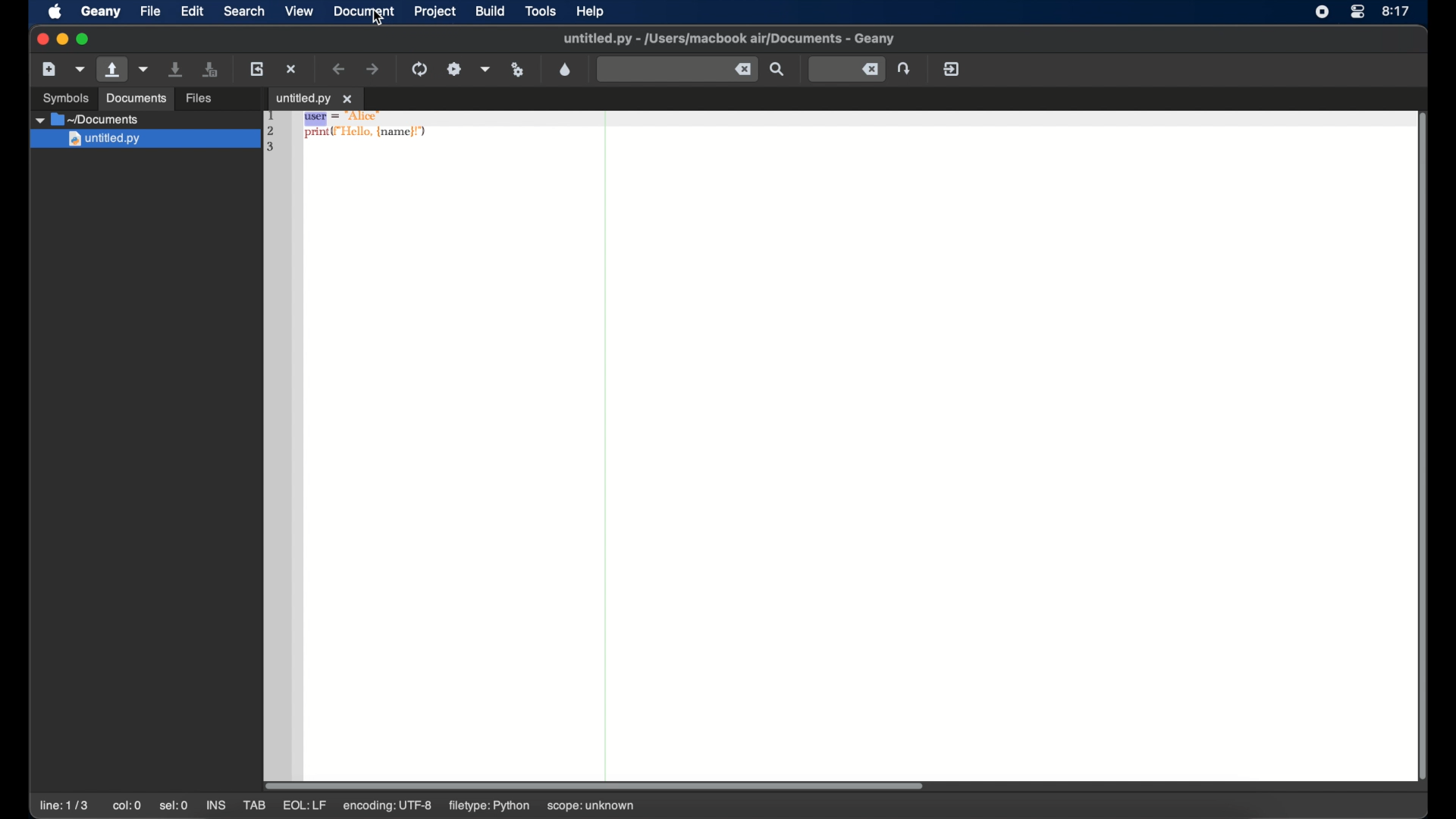 This screenshot has height=819, width=1456. Describe the element at coordinates (150, 11) in the screenshot. I see `file` at that location.